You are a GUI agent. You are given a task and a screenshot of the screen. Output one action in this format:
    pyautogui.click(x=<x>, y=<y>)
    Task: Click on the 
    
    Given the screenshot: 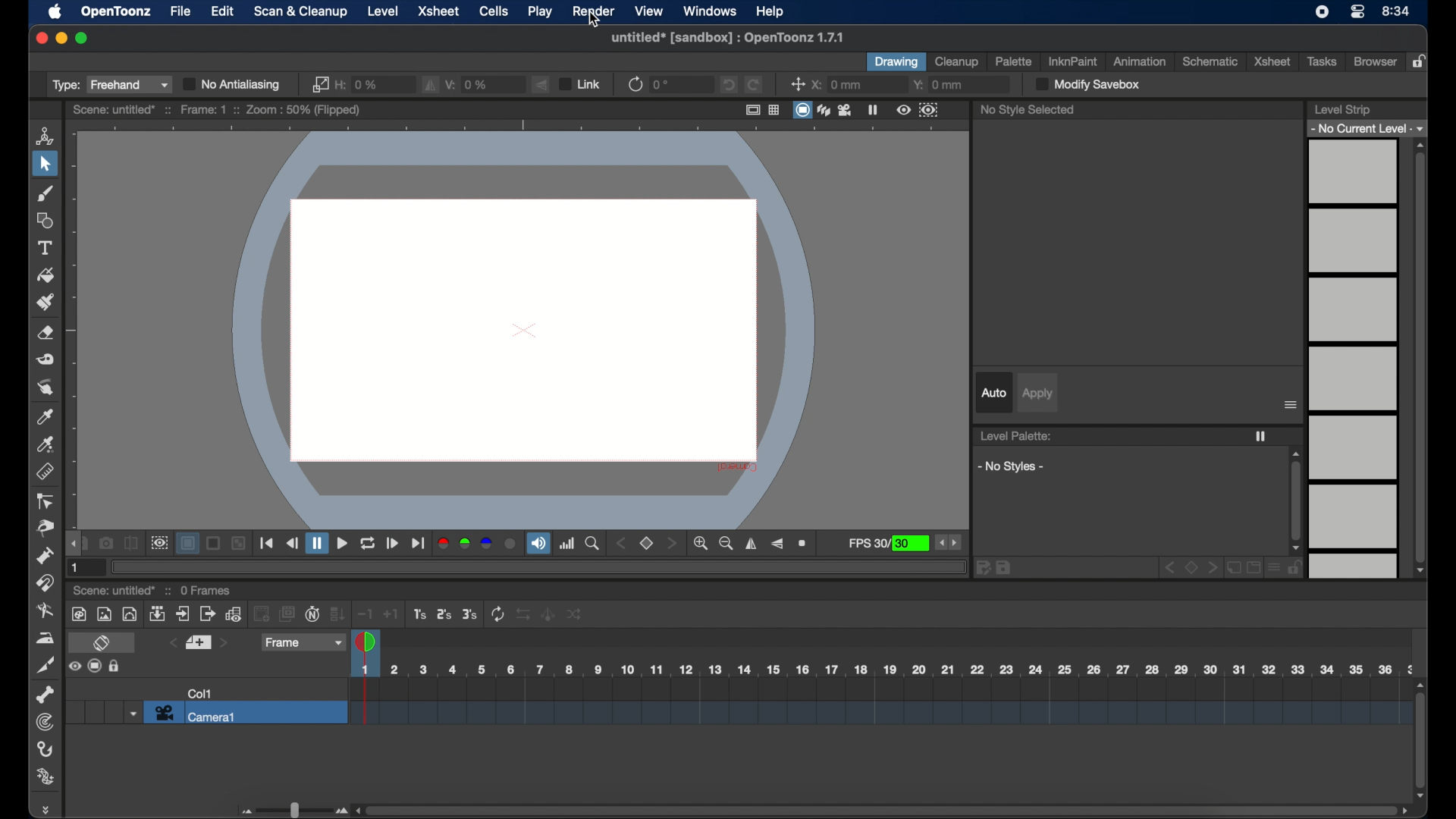 What is the action you would take?
    pyautogui.click(x=575, y=613)
    